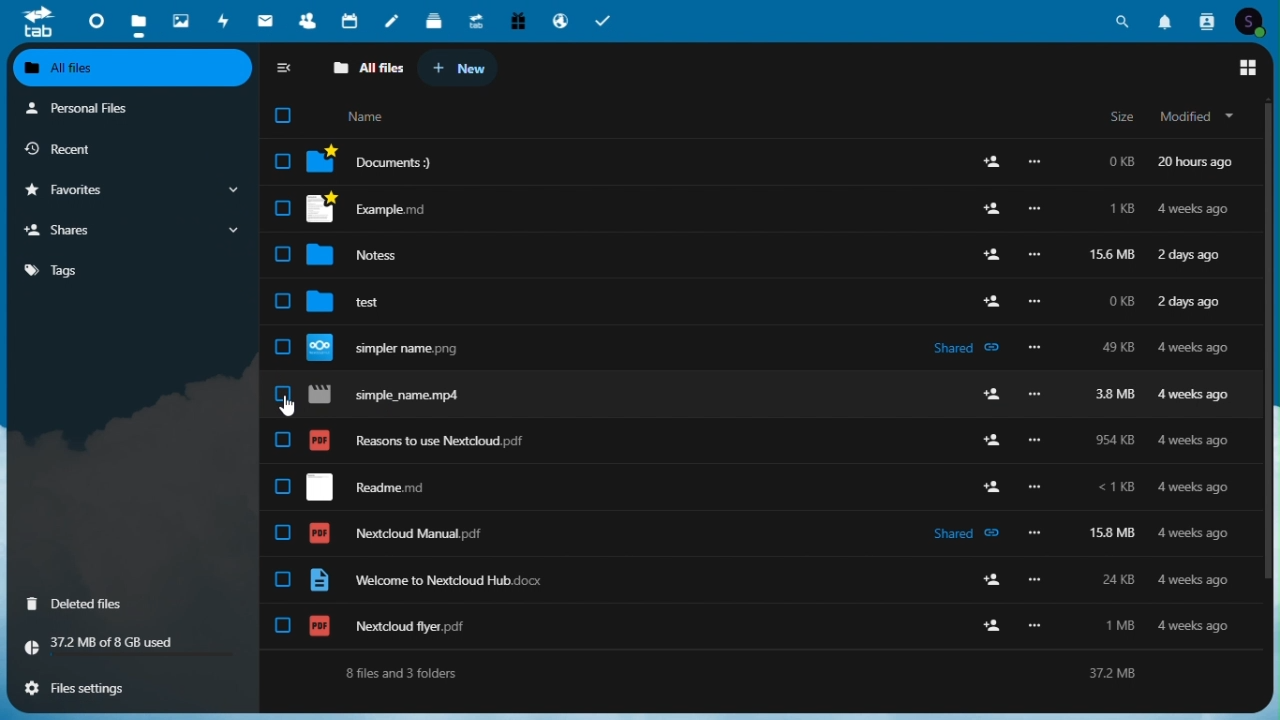 The image size is (1280, 720). I want to click on Mail, so click(268, 20).